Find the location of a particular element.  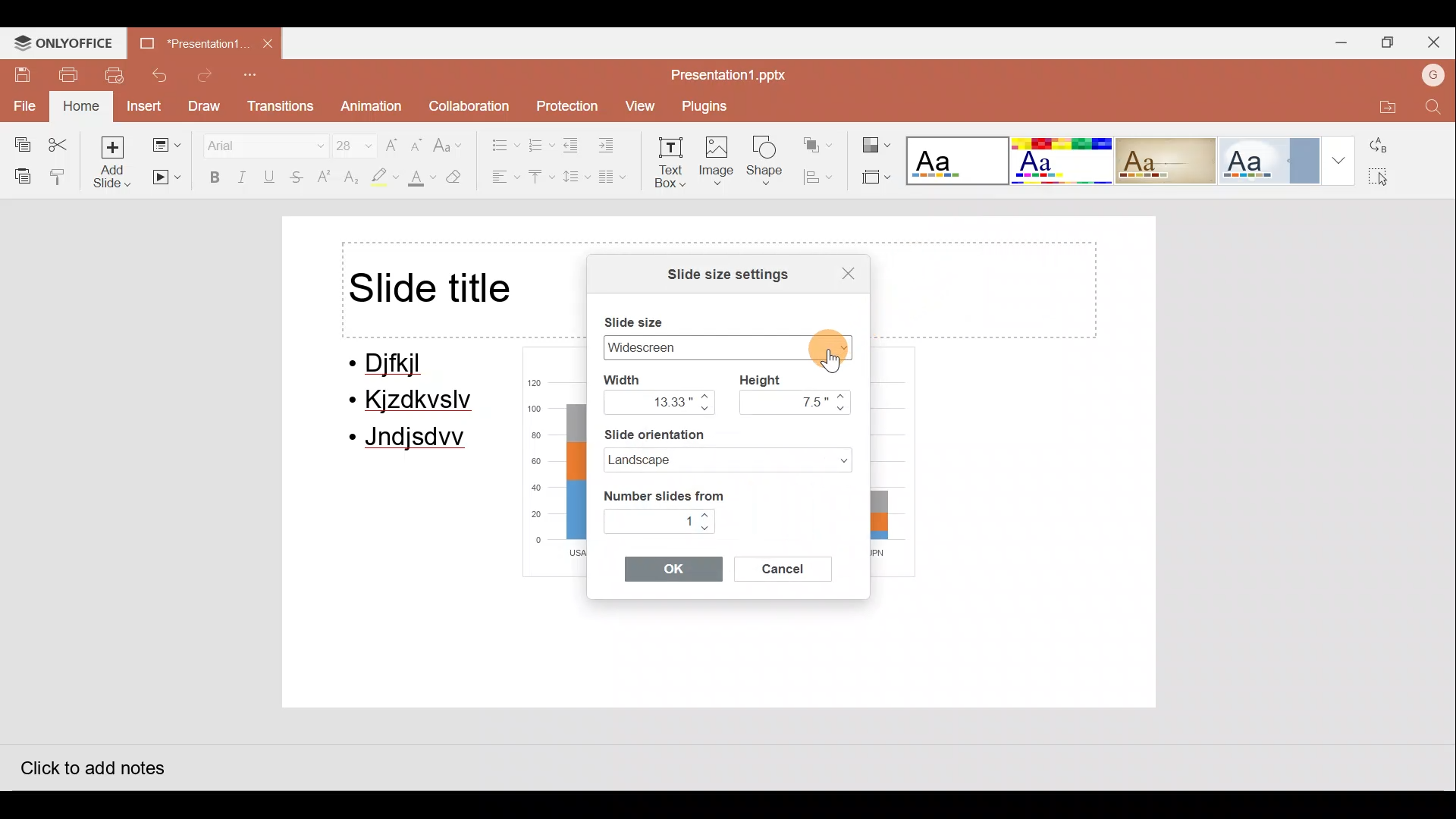

Close document is located at coordinates (269, 45).